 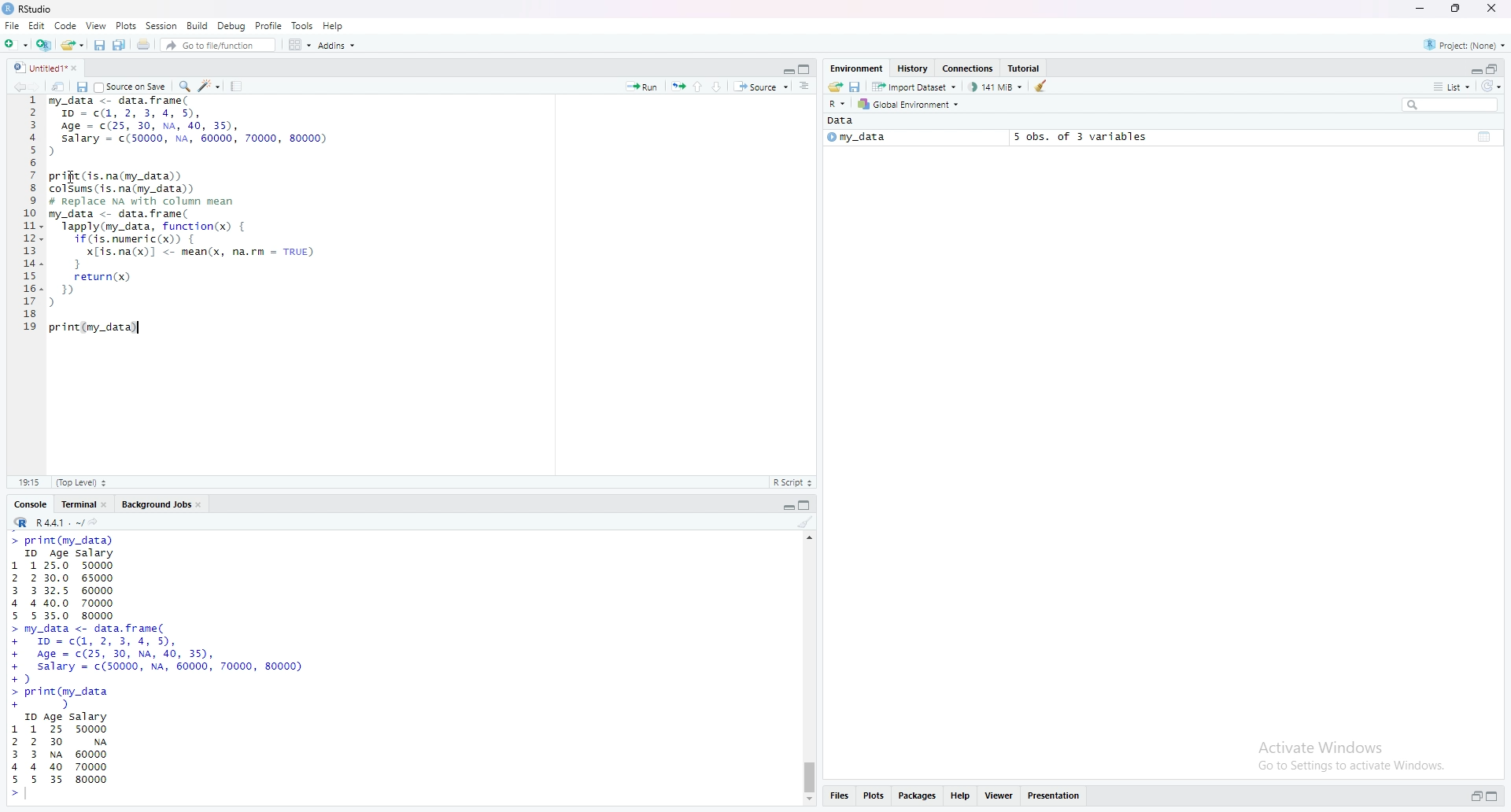 I want to click on data frame code, so click(x=191, y=221).